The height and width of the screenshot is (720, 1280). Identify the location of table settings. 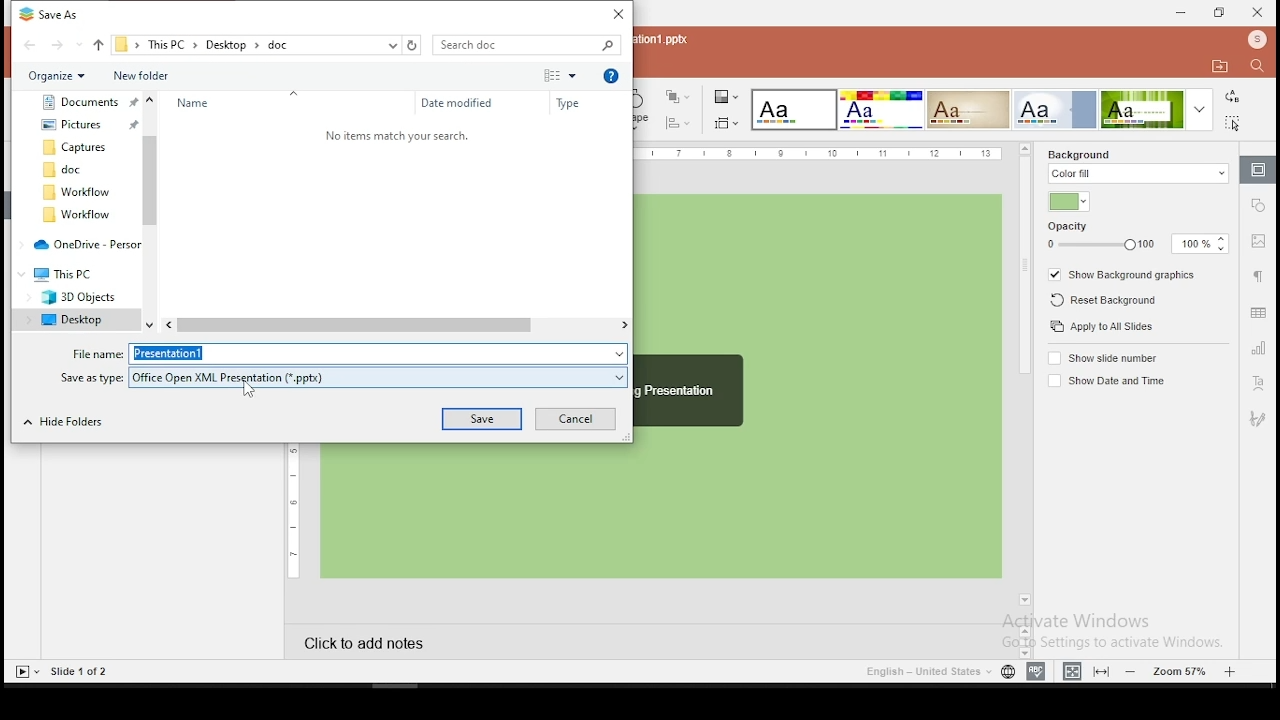
(1256, 312).